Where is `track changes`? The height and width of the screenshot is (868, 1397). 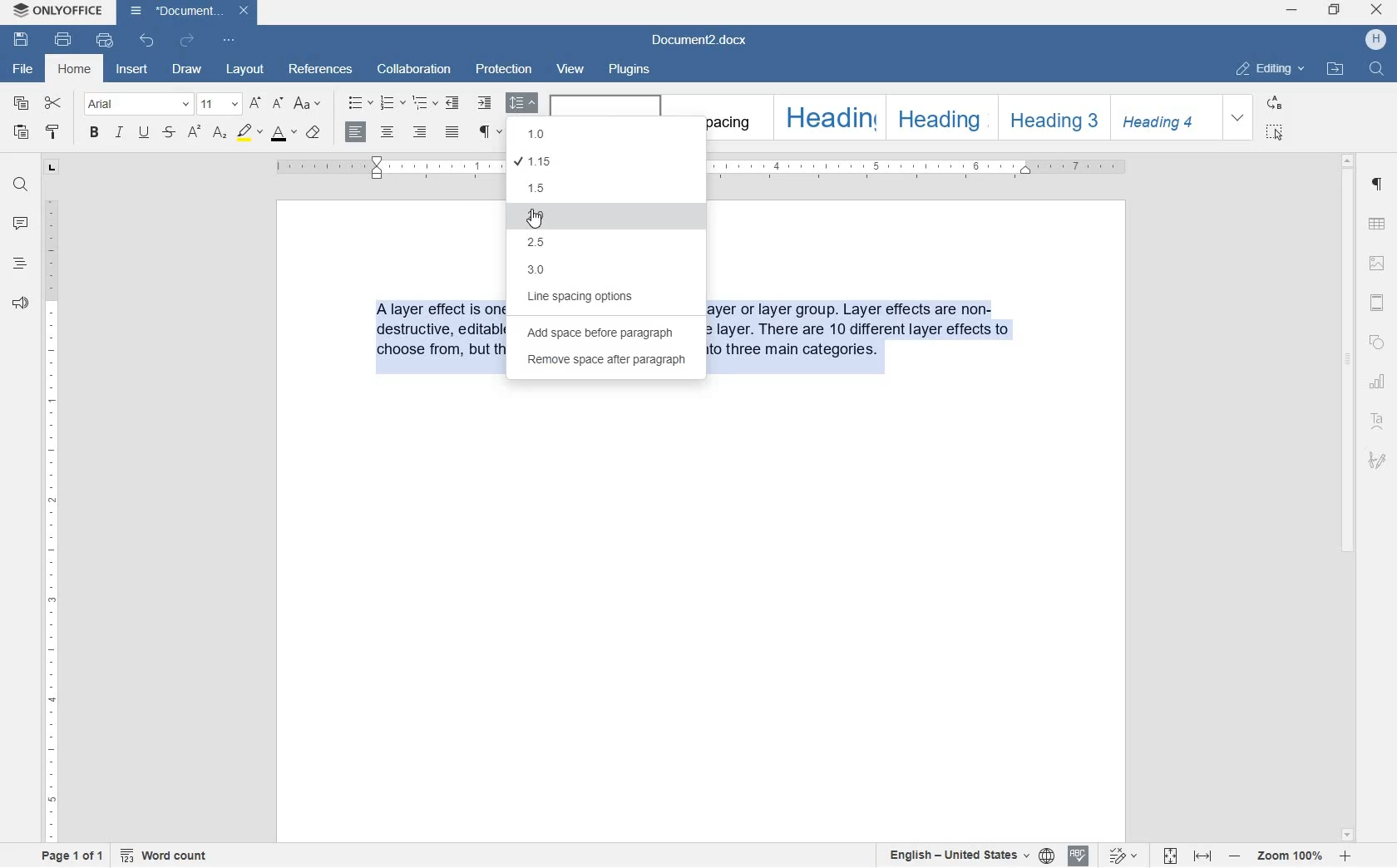 track changes is located at coordinates (1124, 856).